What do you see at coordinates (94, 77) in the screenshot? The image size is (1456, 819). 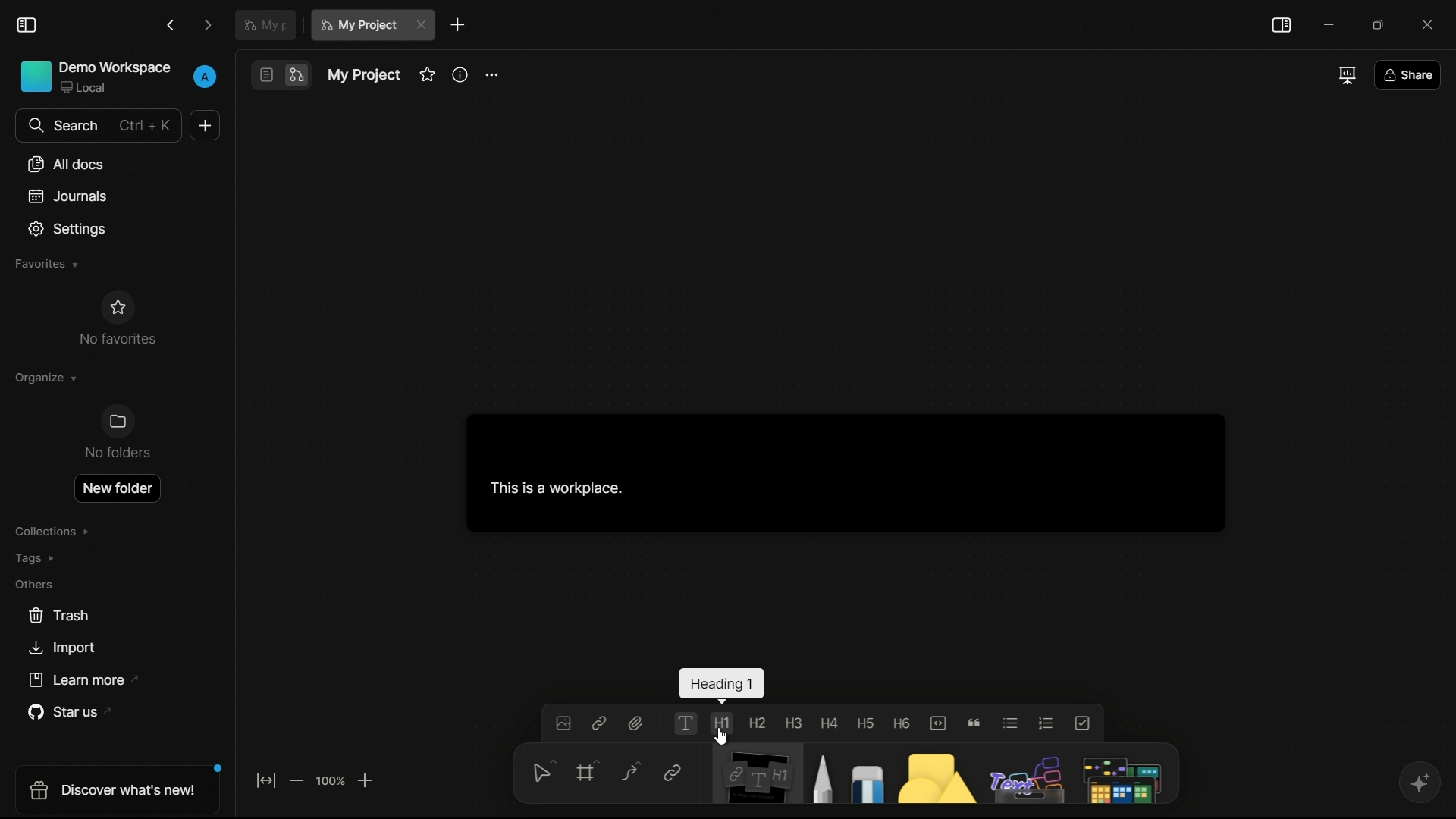 I see `demo workspace` at bounding box center [94, 77].